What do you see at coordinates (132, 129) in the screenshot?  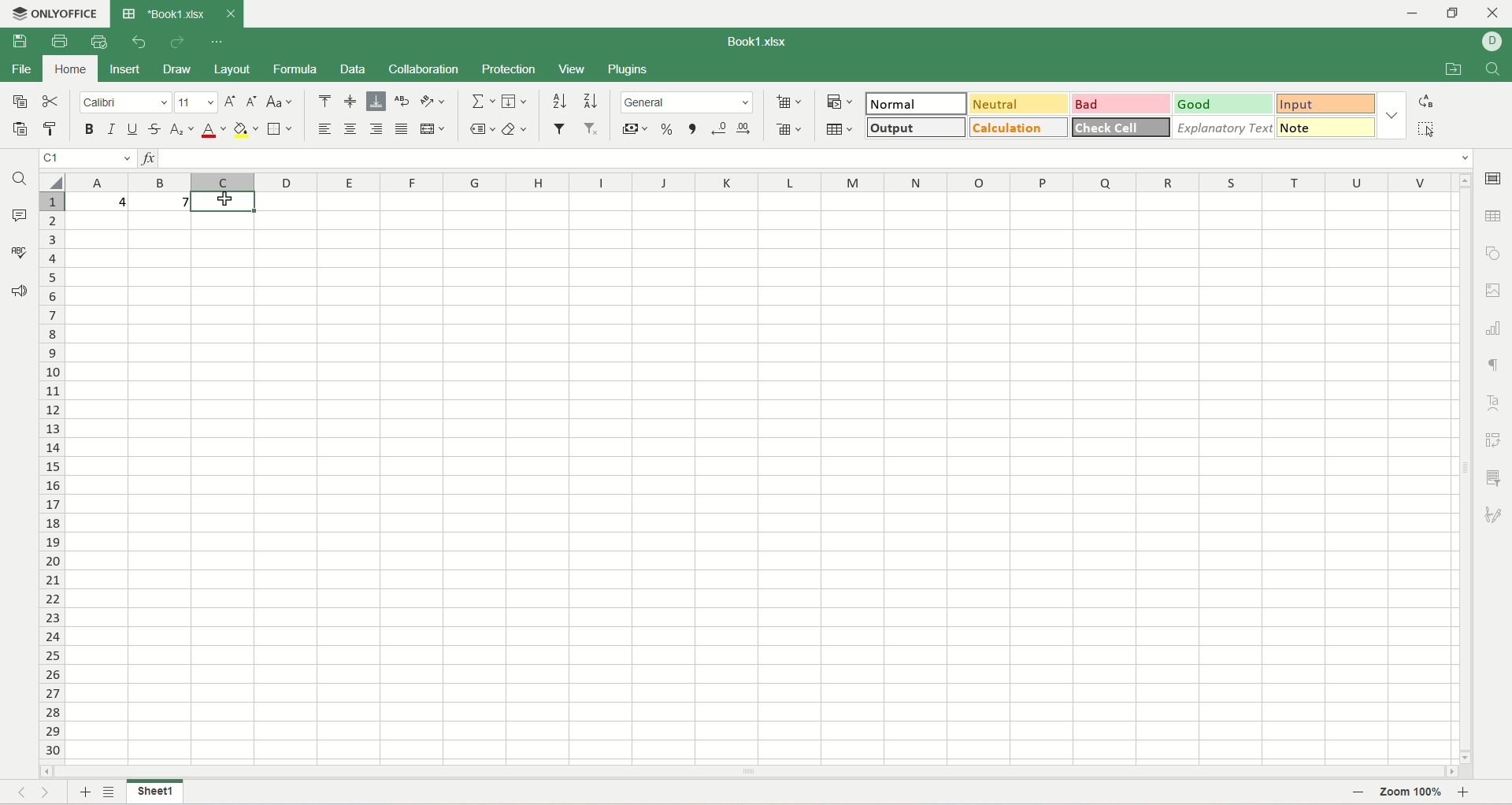 I see `underline` at bounding box center [132, 129].